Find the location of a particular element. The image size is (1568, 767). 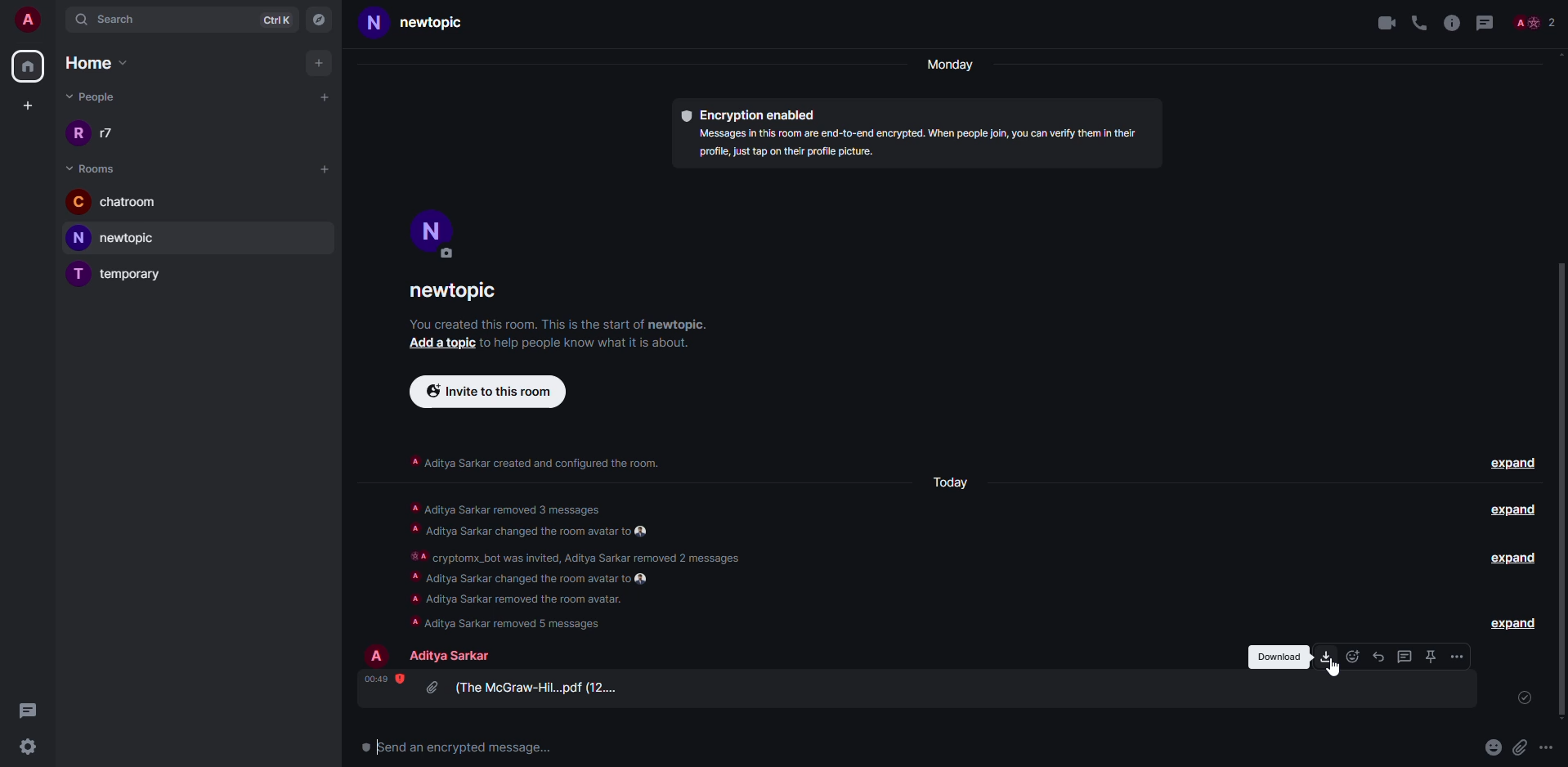

expand is located at coordinates (1513, 461).